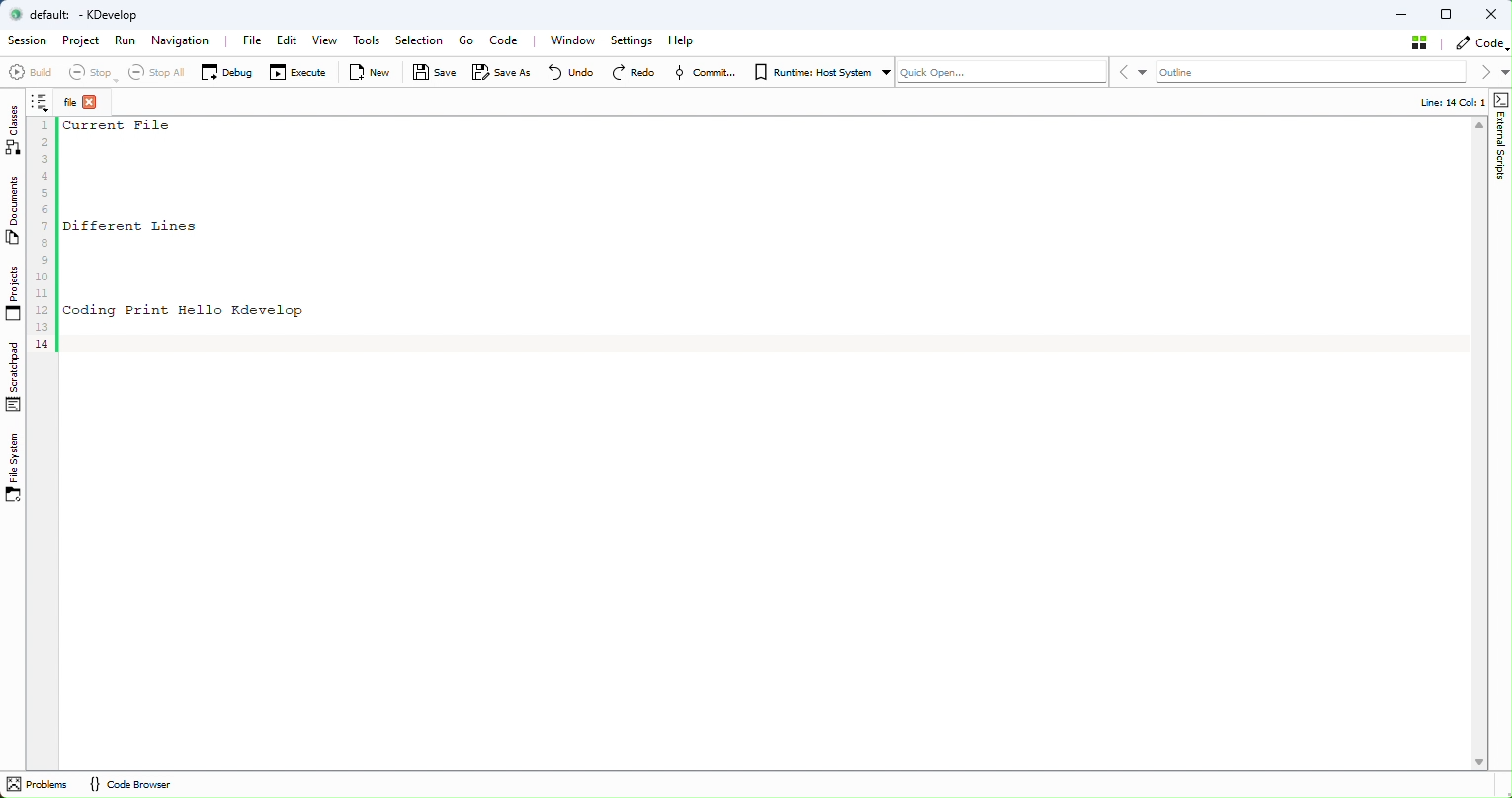 The width and height of the screenshot is (1512, 798). Describe the element at coordinates (423, 40) in the screenshot. I see `Selection` at that location.